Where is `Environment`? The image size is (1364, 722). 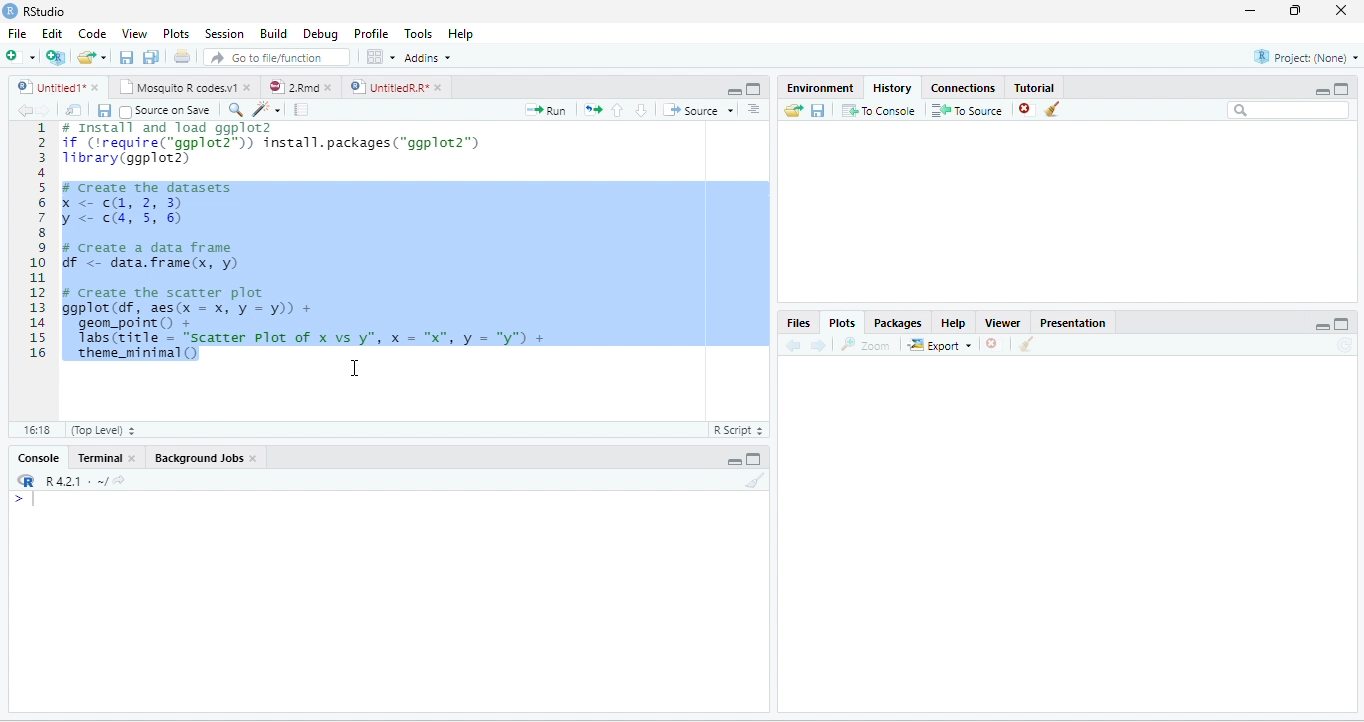 Environment is located at coordinates (820, 88).